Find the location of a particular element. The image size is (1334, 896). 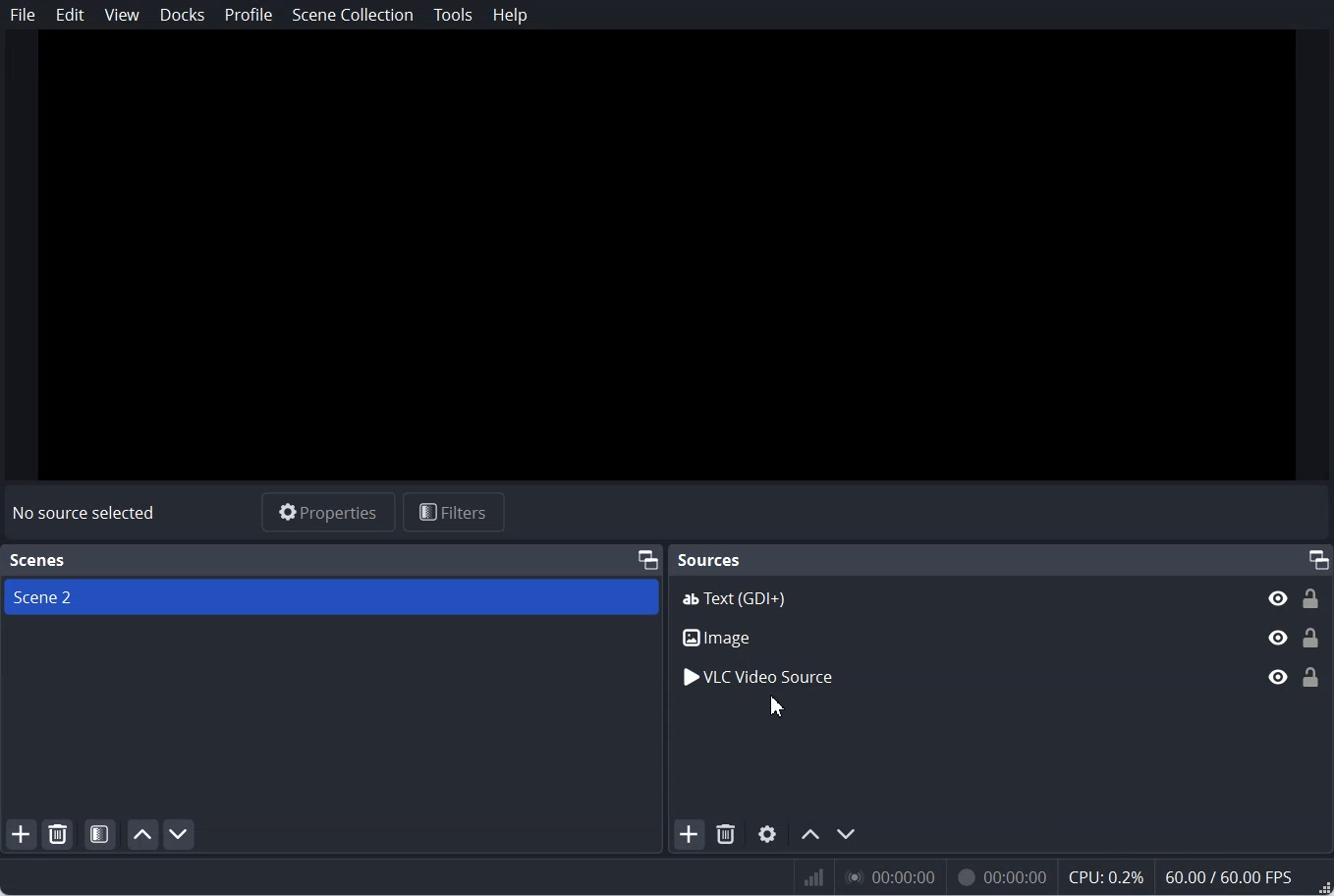

Maximize is located at coordinates (1318, 558).